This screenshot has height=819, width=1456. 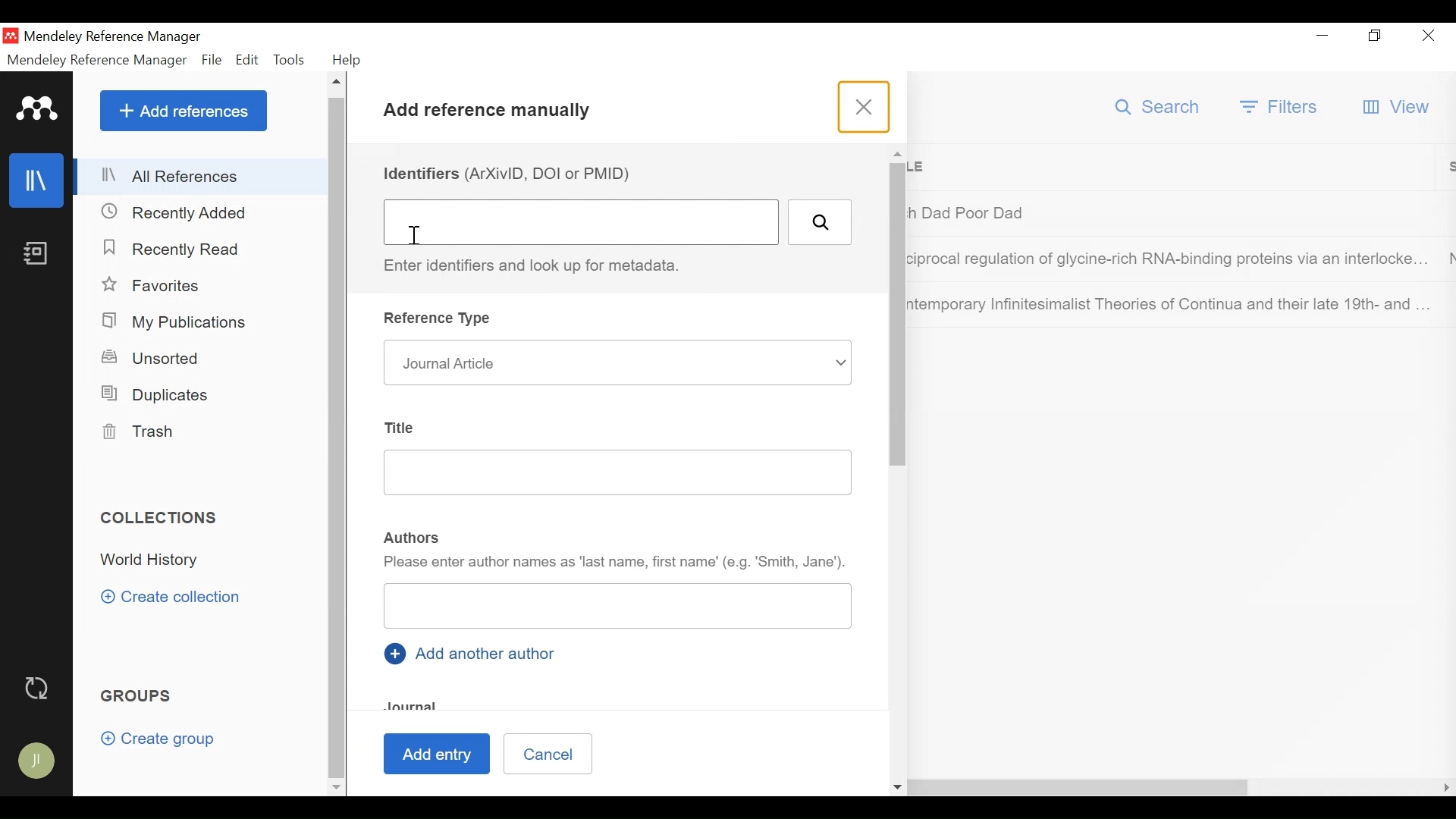 I want to click on Mendeley Logo, so click(x=37, y=108).